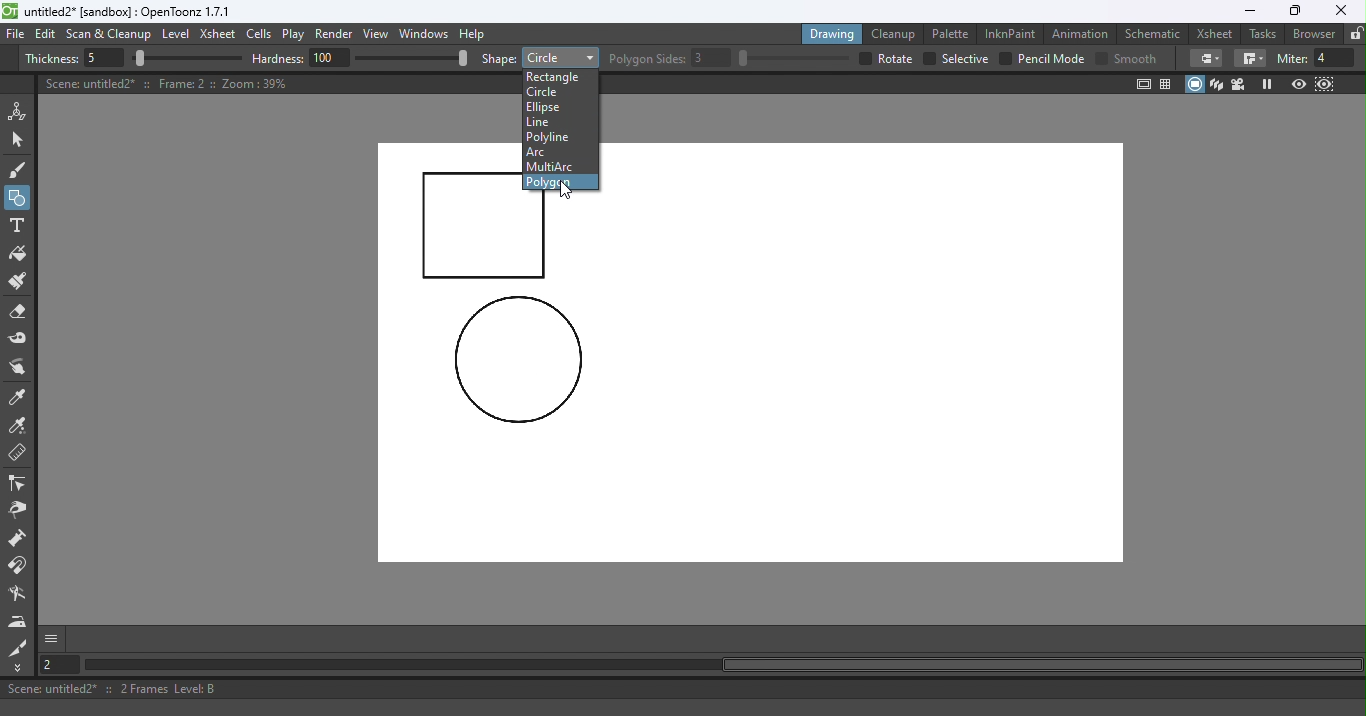 The width and height of the screenshot is (1366, 716). I want to click on Preview, so click(1298, 85).